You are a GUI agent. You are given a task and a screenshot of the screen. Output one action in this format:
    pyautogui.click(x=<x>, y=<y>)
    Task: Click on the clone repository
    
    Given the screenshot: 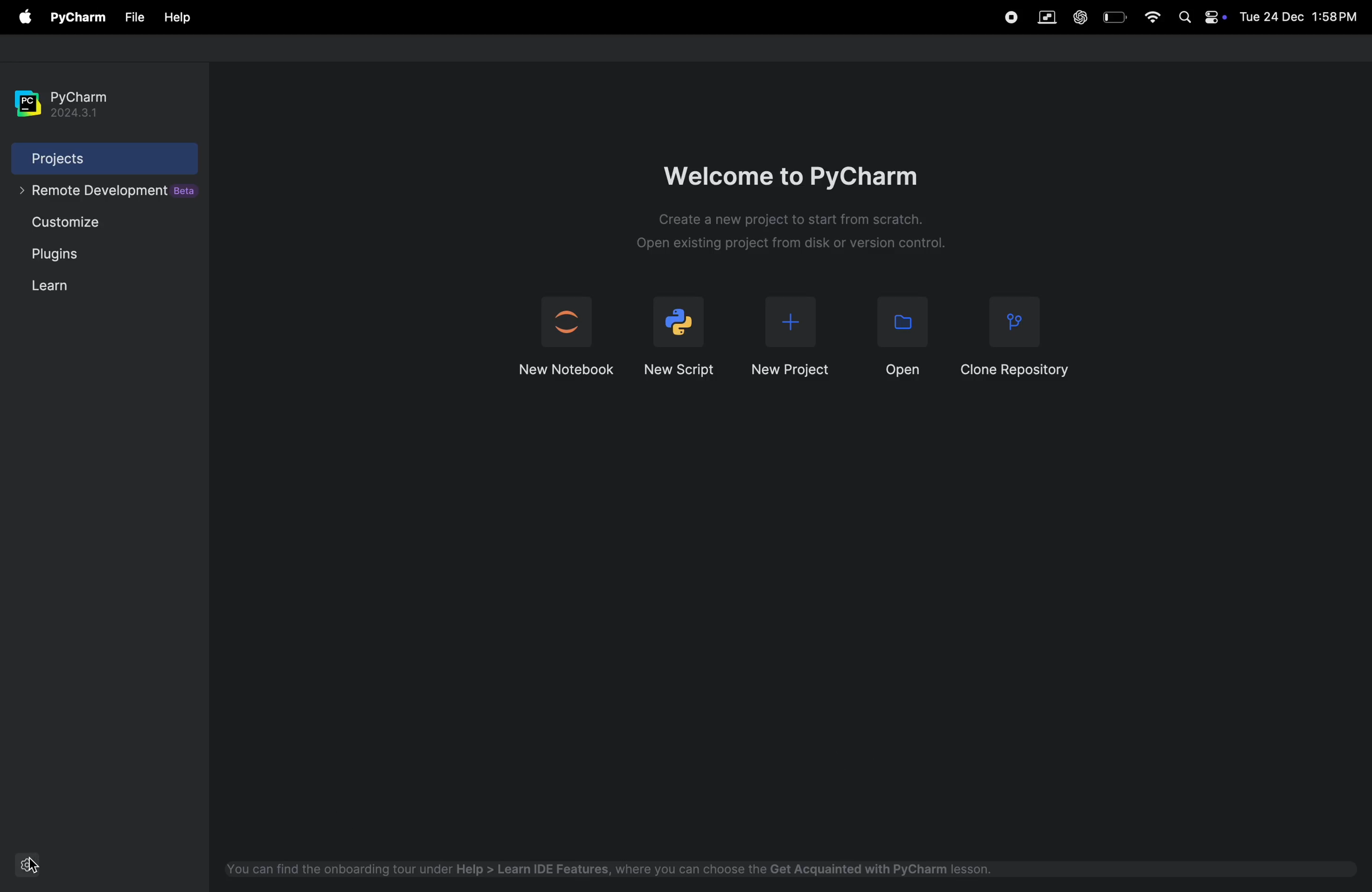 What is the action you would take?
    pyautogui.click(x=1018, y=335)
    